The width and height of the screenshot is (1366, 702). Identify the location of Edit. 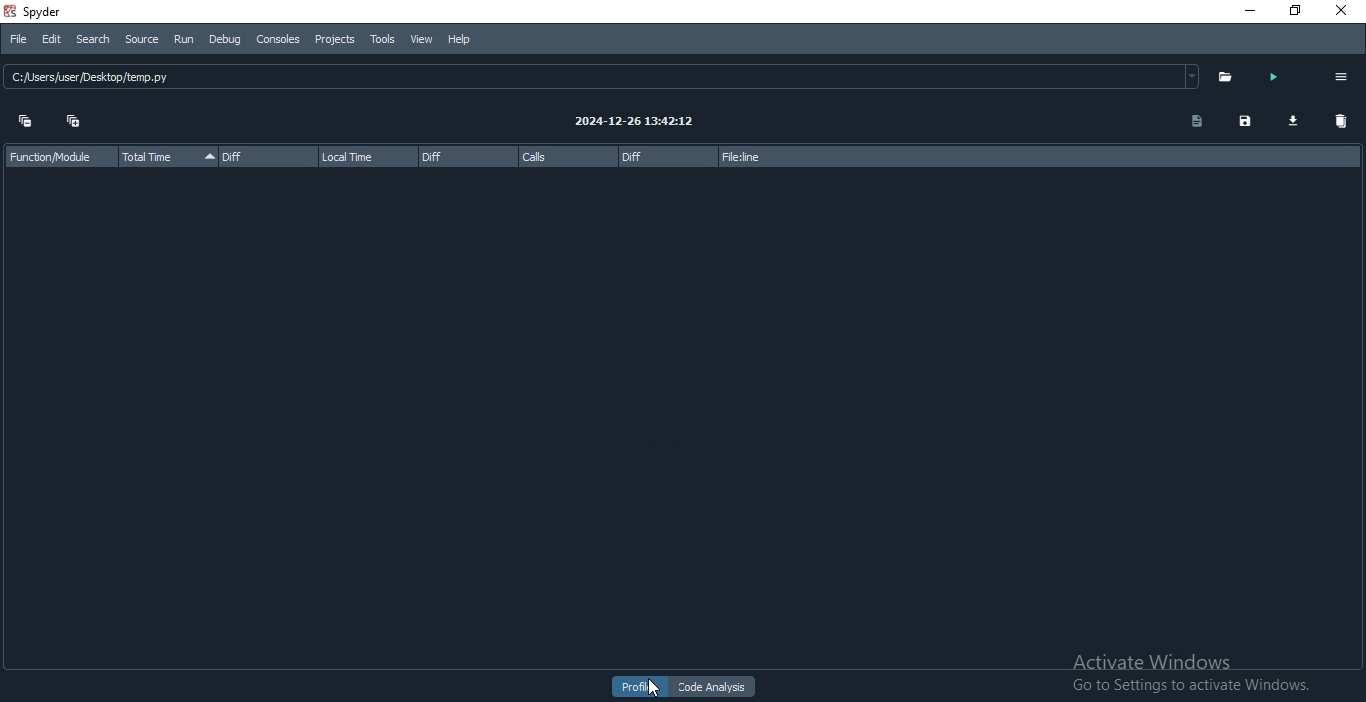
(48, 39).